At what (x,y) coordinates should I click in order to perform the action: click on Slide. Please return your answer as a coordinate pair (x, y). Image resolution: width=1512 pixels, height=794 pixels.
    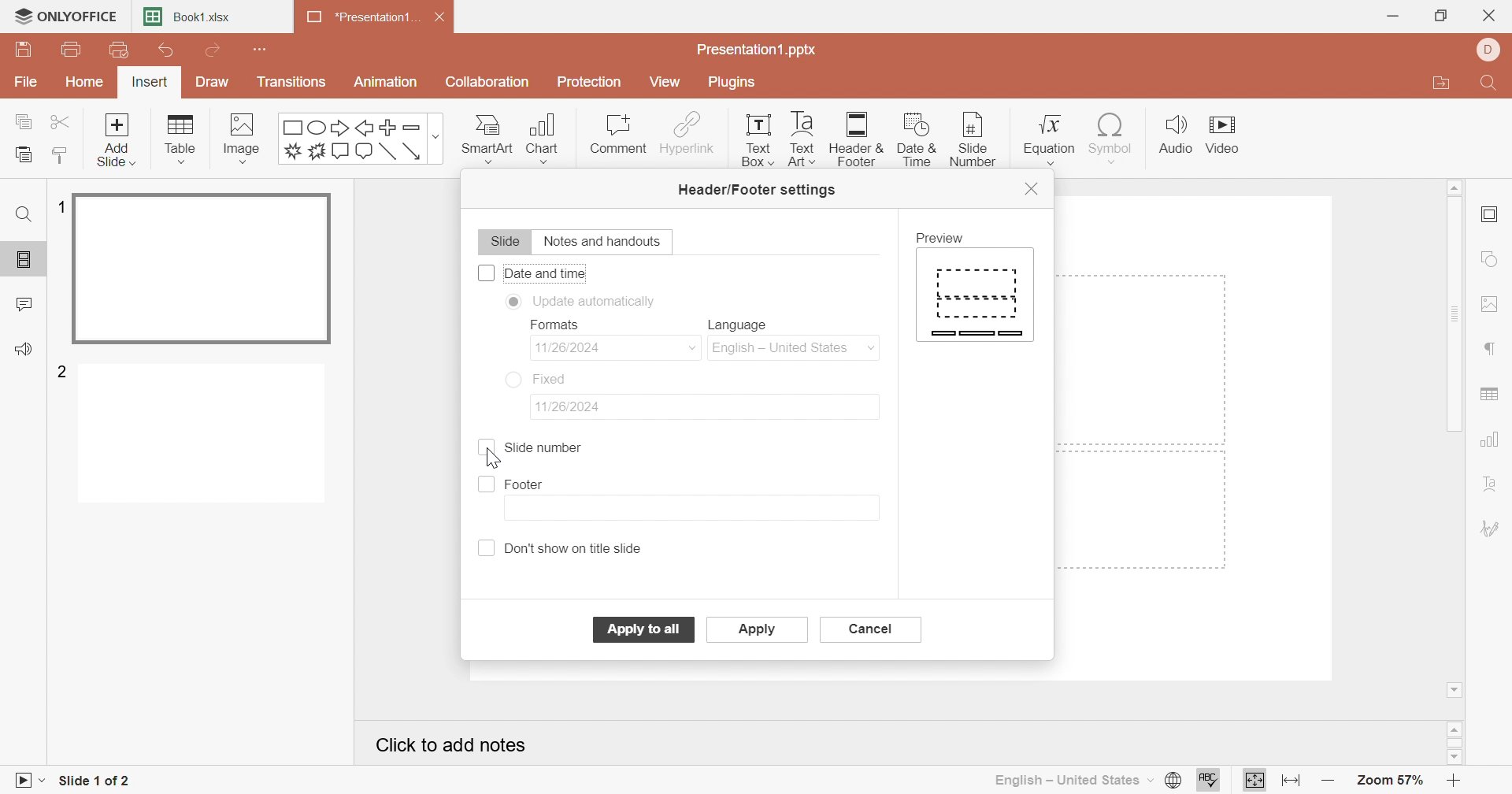
    Looking at the image, I should click on (503, 243).